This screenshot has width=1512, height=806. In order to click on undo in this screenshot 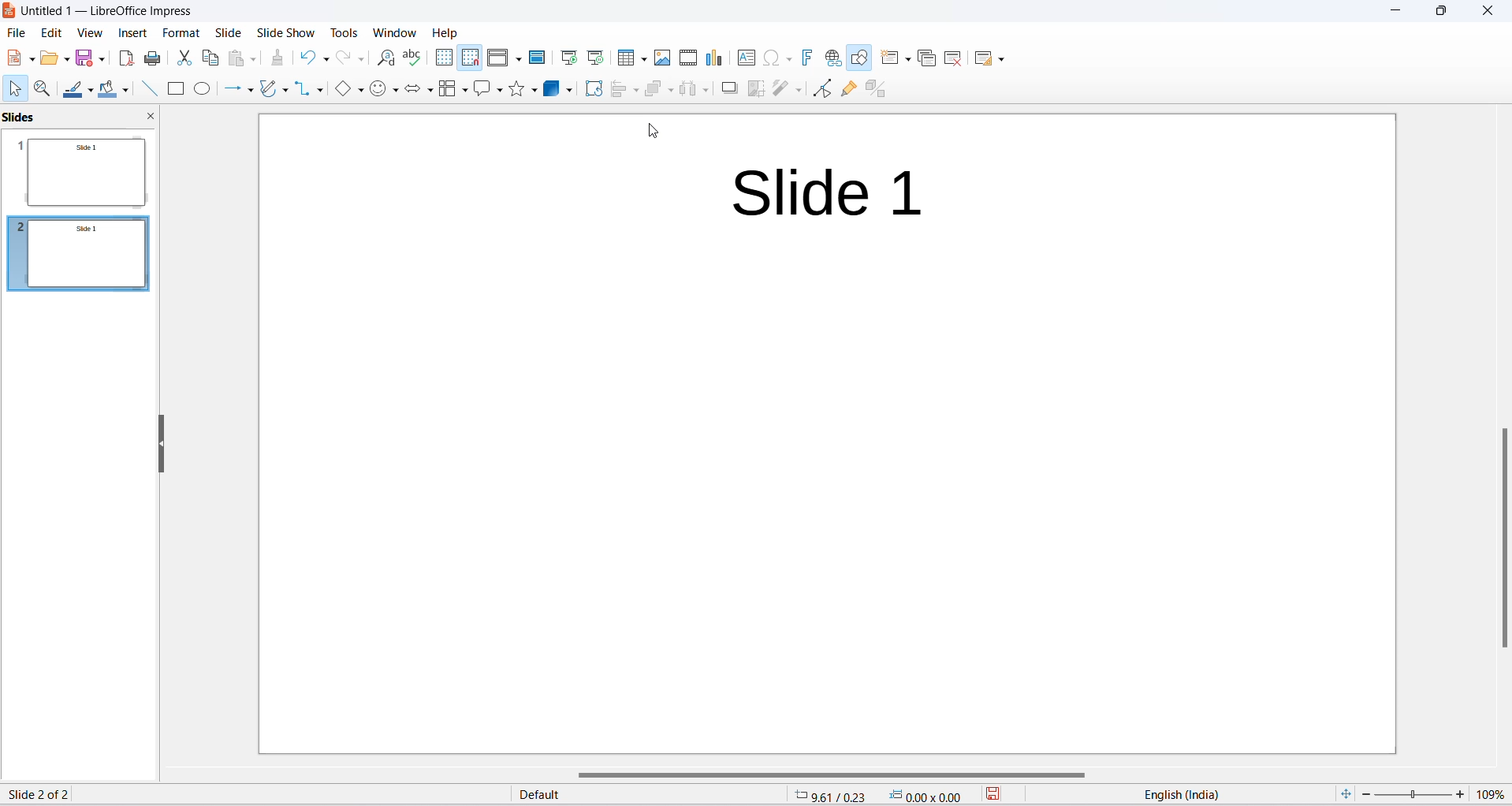, I will do `click(313, 58)`.